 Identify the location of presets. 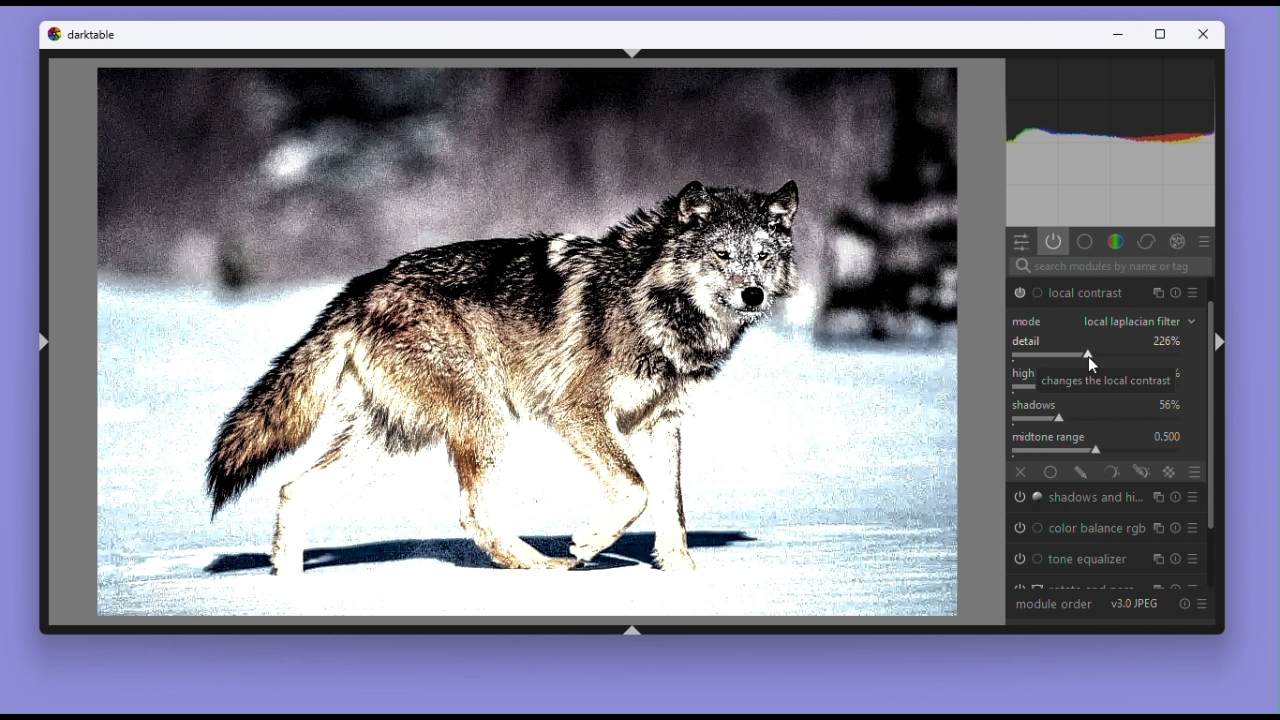
(1193, 499).